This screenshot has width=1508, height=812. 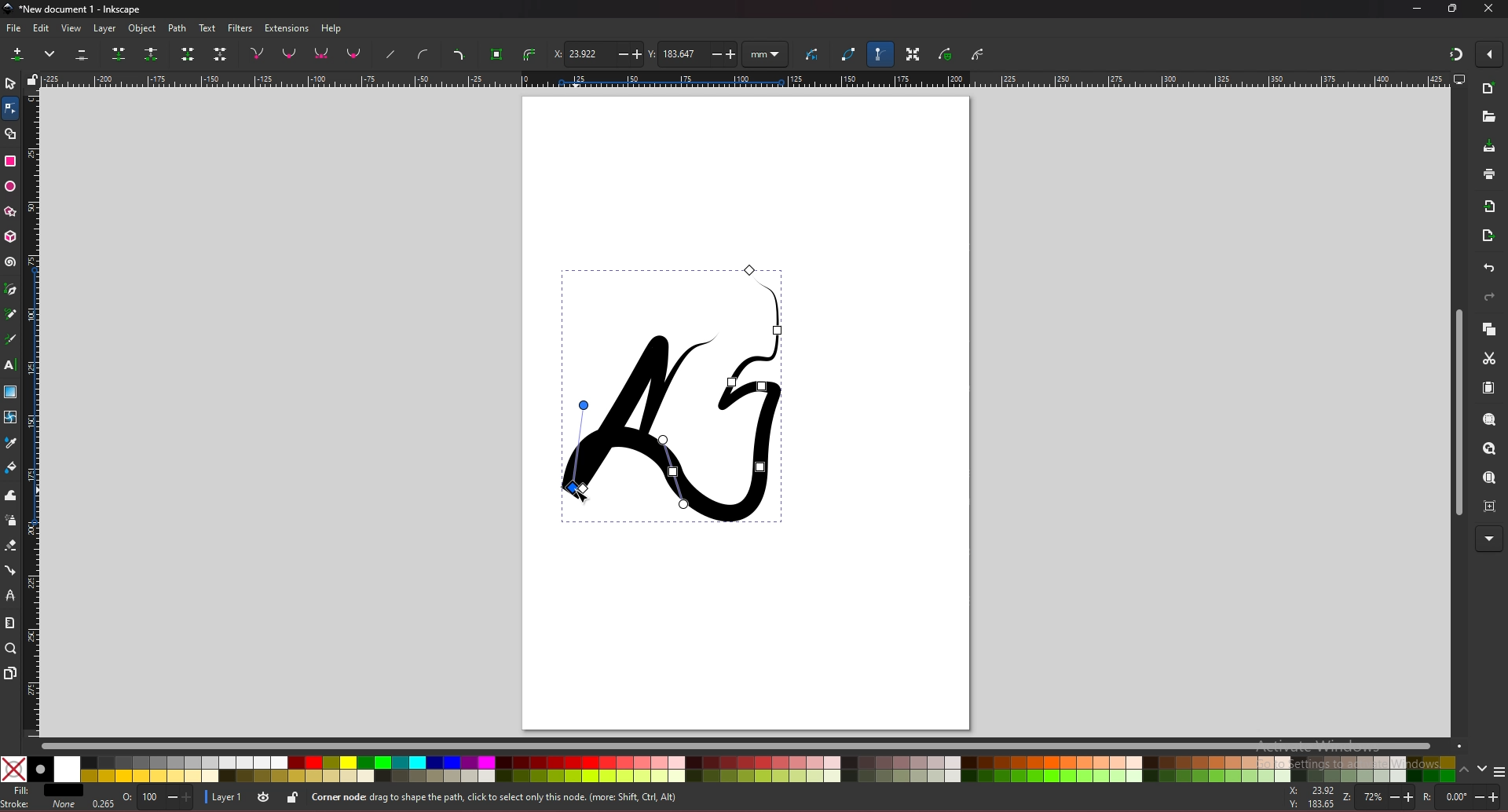 I want to click on measure, so click(x=10, y=621).